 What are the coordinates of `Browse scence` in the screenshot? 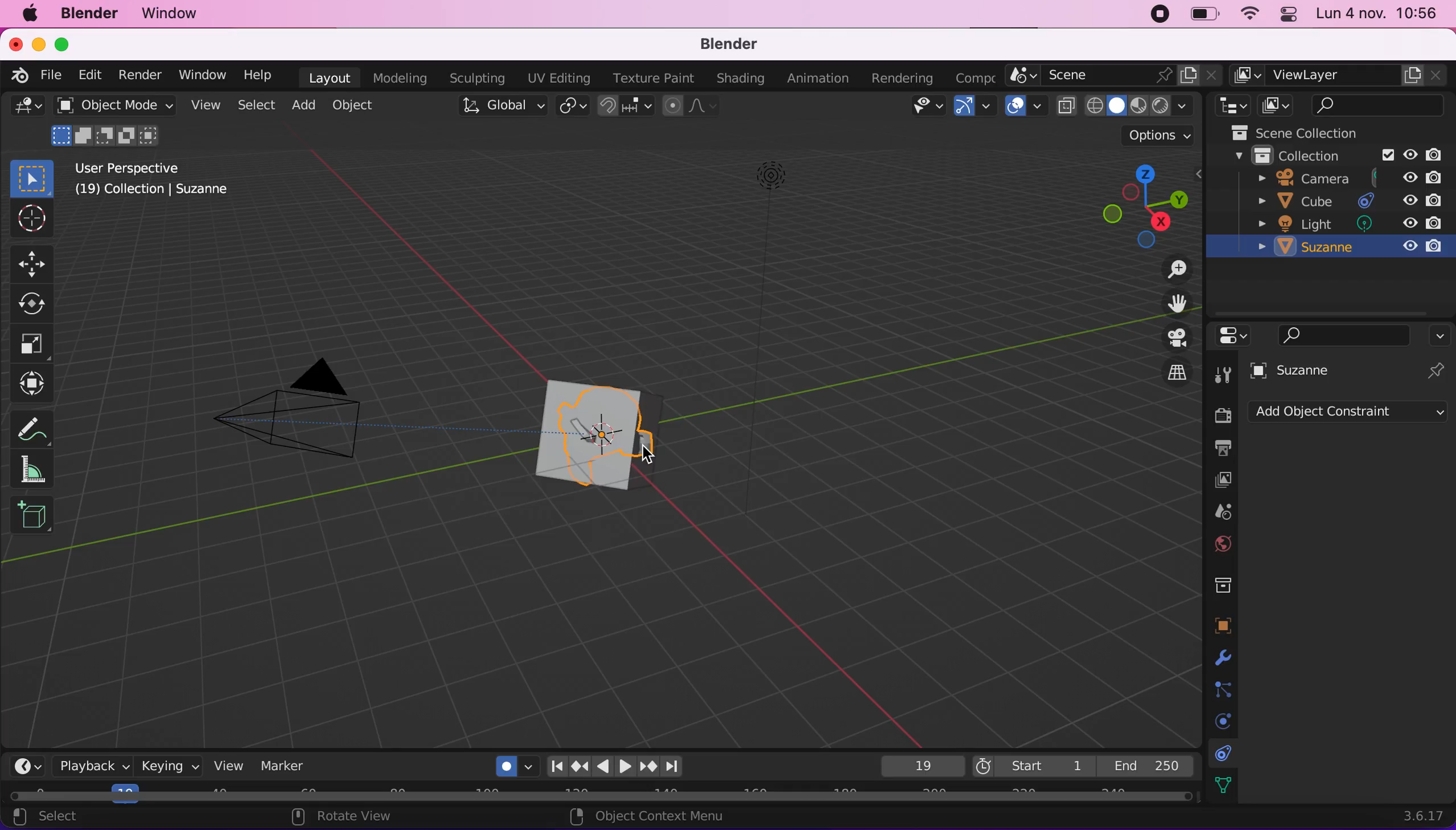 It's located at (1021, 75).